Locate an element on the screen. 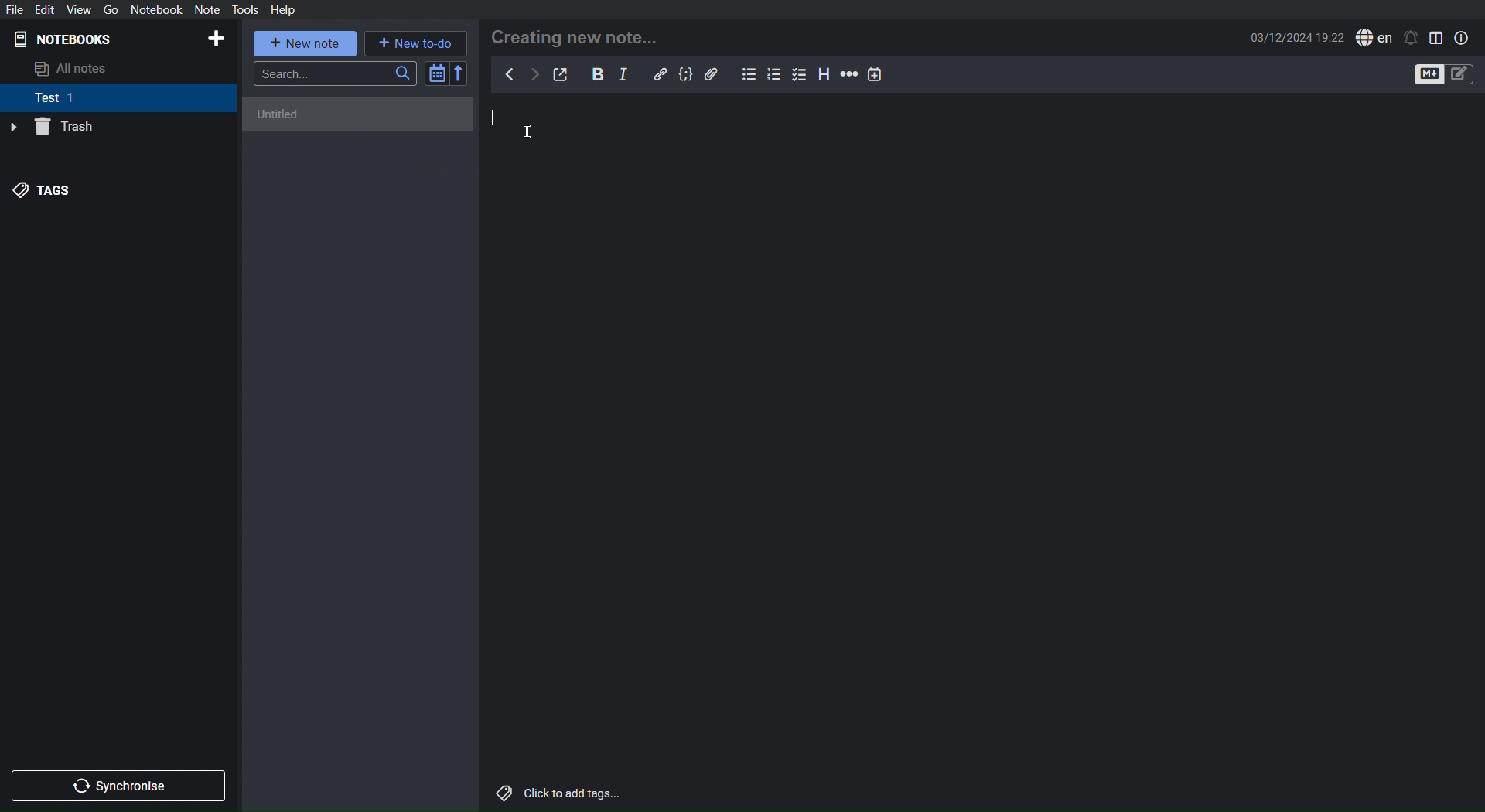 The width and height of the screenshot is (1485, 812). Cursor is located at coordinates (498, 117).